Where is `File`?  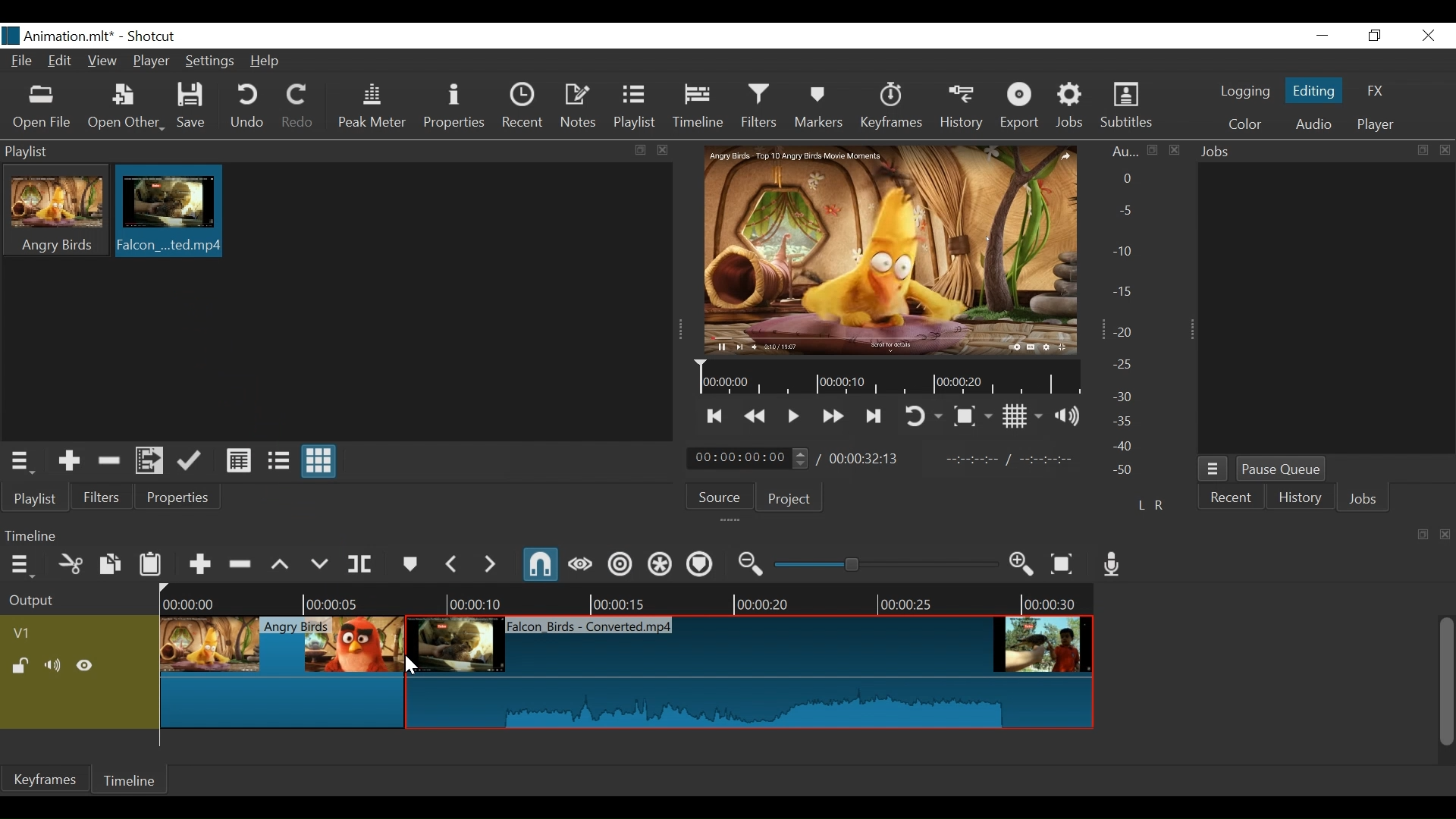 File is located at coordinates (21, 60).